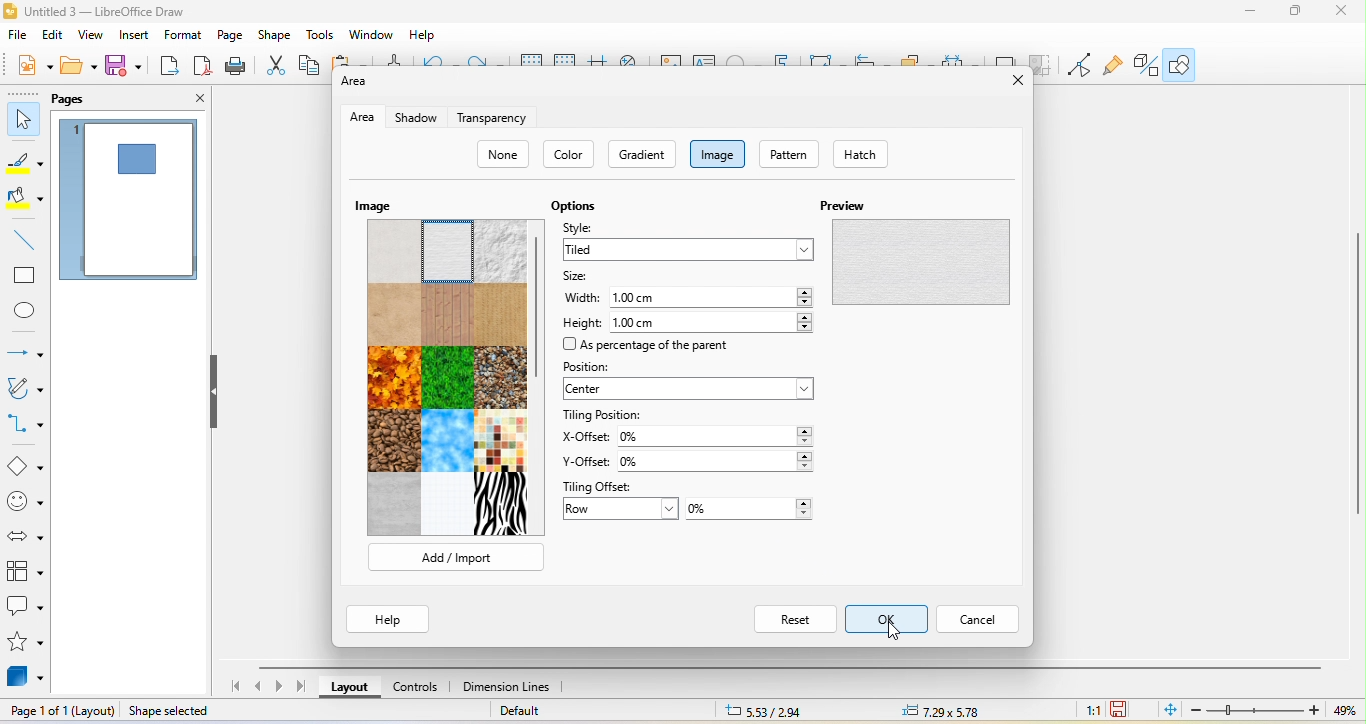 This screenshot has width=1366, height=724. What do you see at coordinates (1296, 13) in the screenshot?
I see `maximize` at bounding box center [1296, 13].